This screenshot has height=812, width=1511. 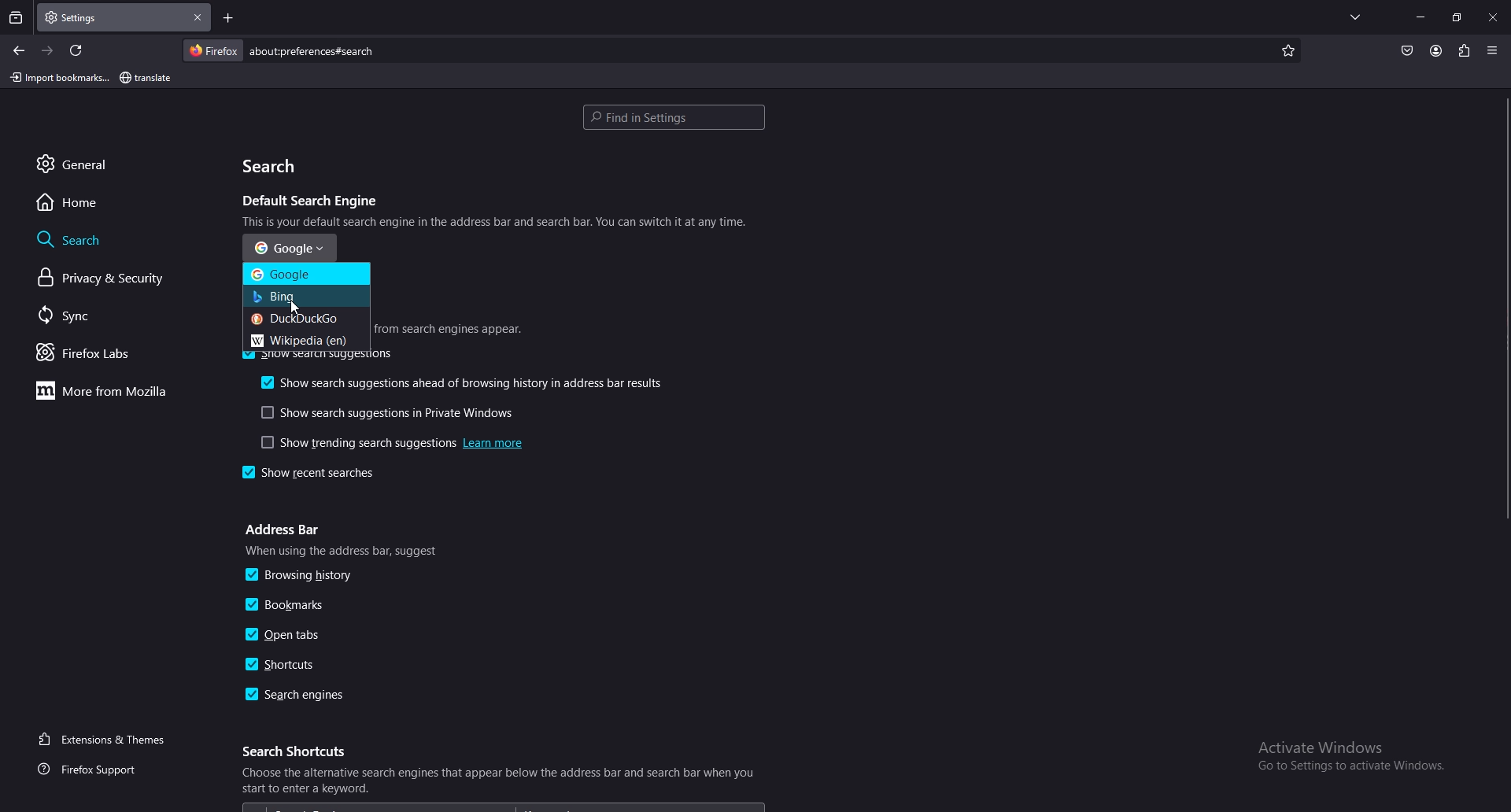 What do you see at coordinates (1407, 51) in the screenshot?
I see `save to pocket` at bounding box center [1407, 51].